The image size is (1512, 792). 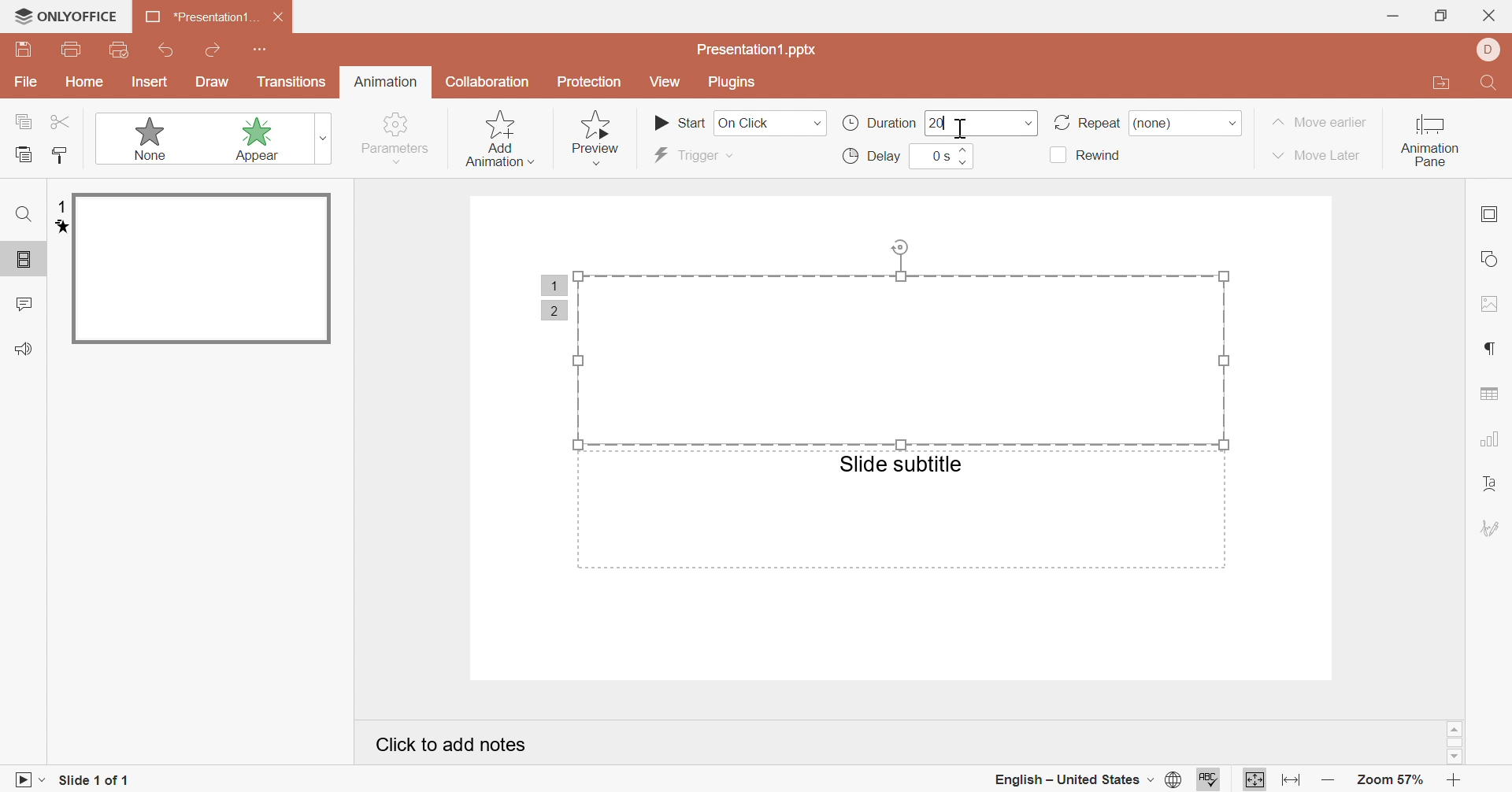 What do you see at coordinates (1289, 781) in the screenshot?
I see `fit to width` at bounding box center [1289, 781].